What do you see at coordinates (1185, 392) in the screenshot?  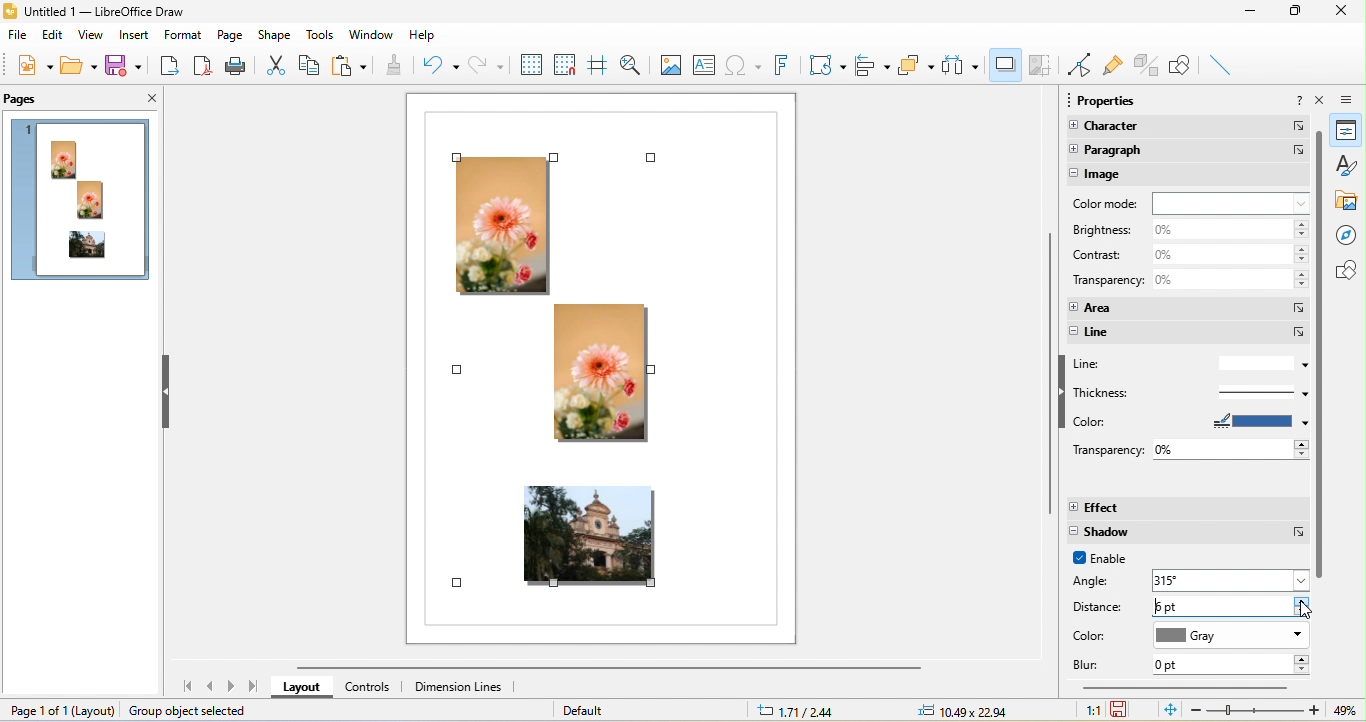 I see `thickness` at bounding box center [1185, 392].